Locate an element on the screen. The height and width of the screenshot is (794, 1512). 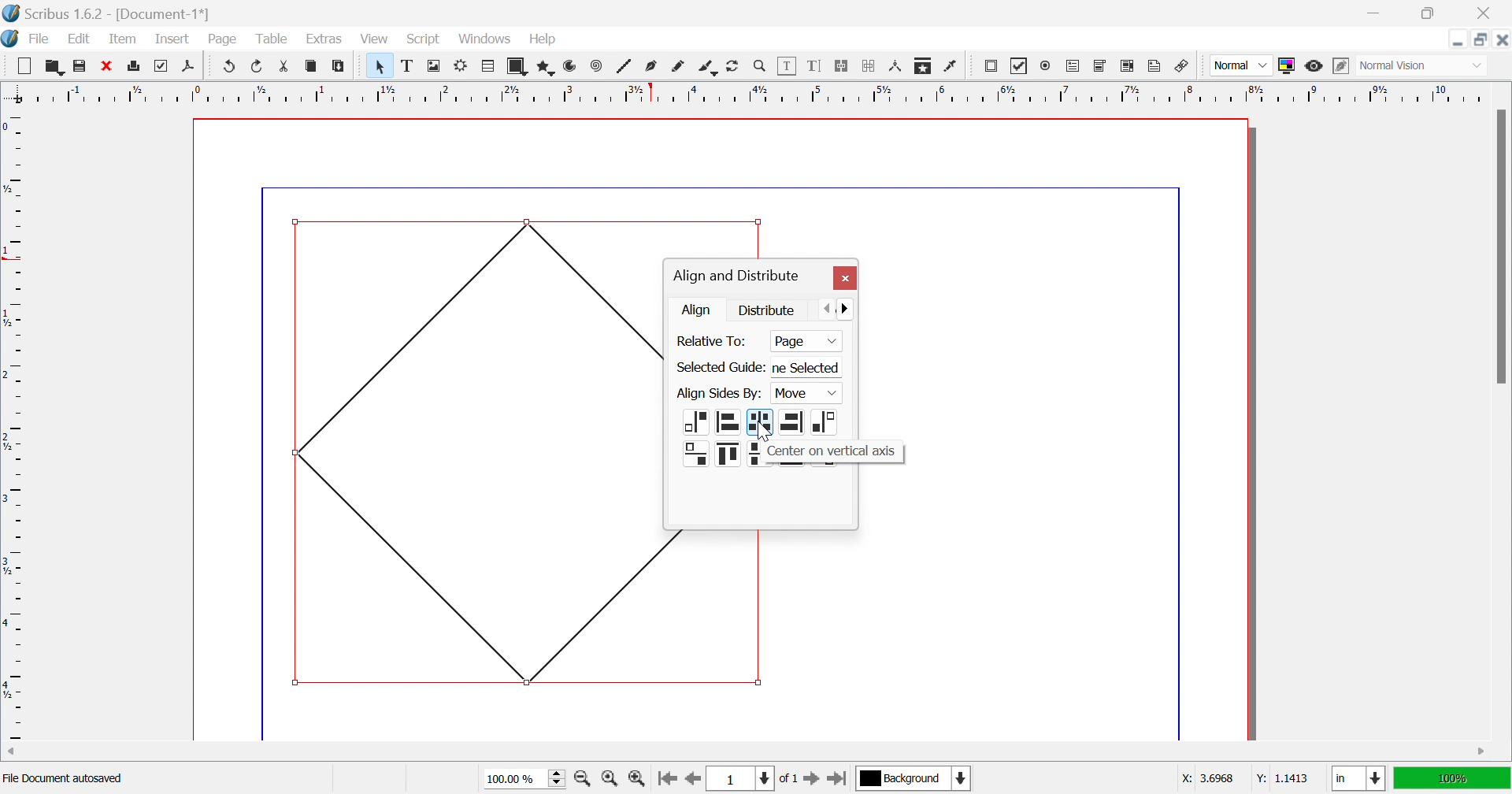
Save as PDF is located at coordinates (192, 67).